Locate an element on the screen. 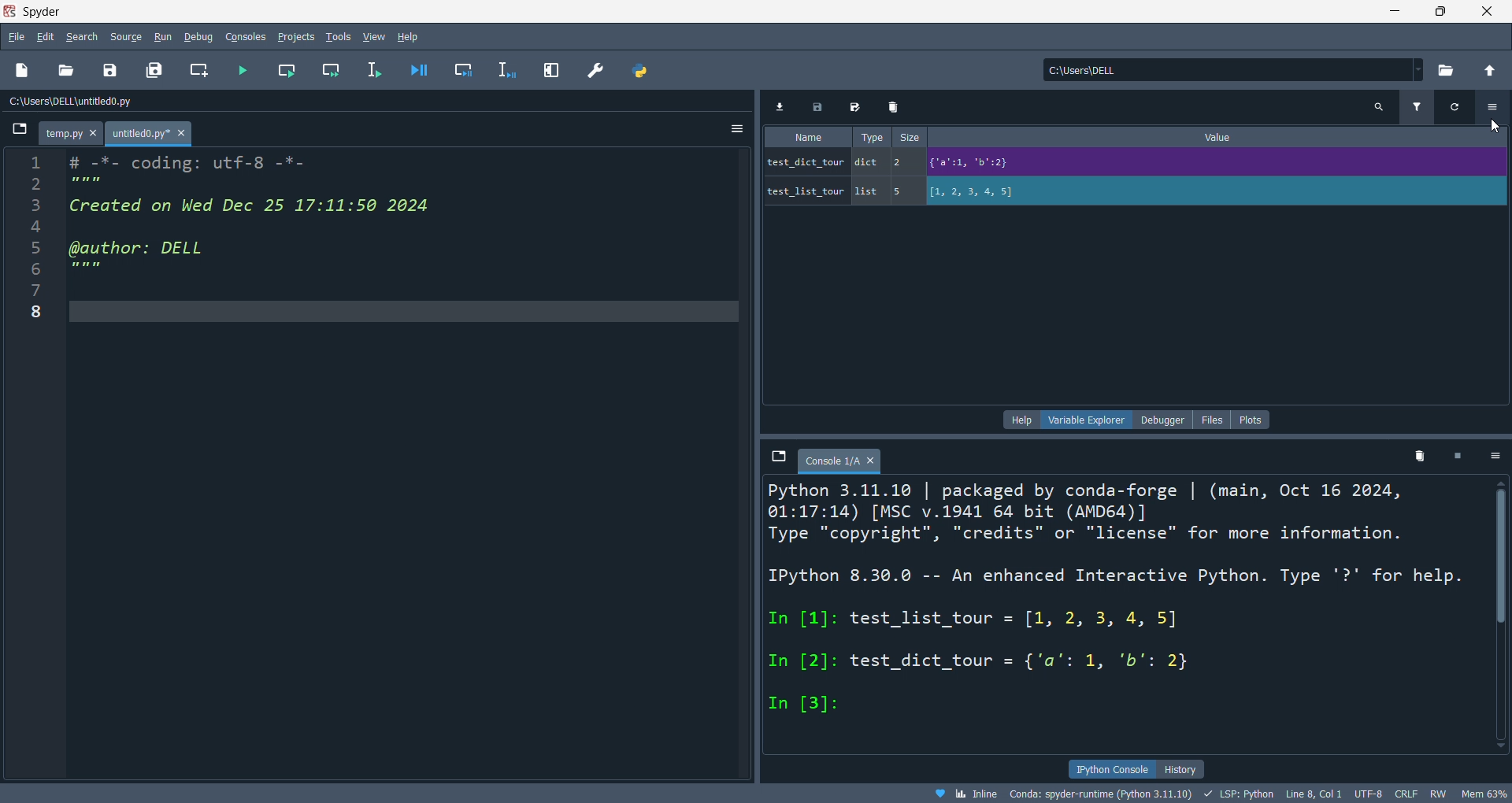 This screenshot has height=803, width=1512. search is located at coordinates (80, 37).